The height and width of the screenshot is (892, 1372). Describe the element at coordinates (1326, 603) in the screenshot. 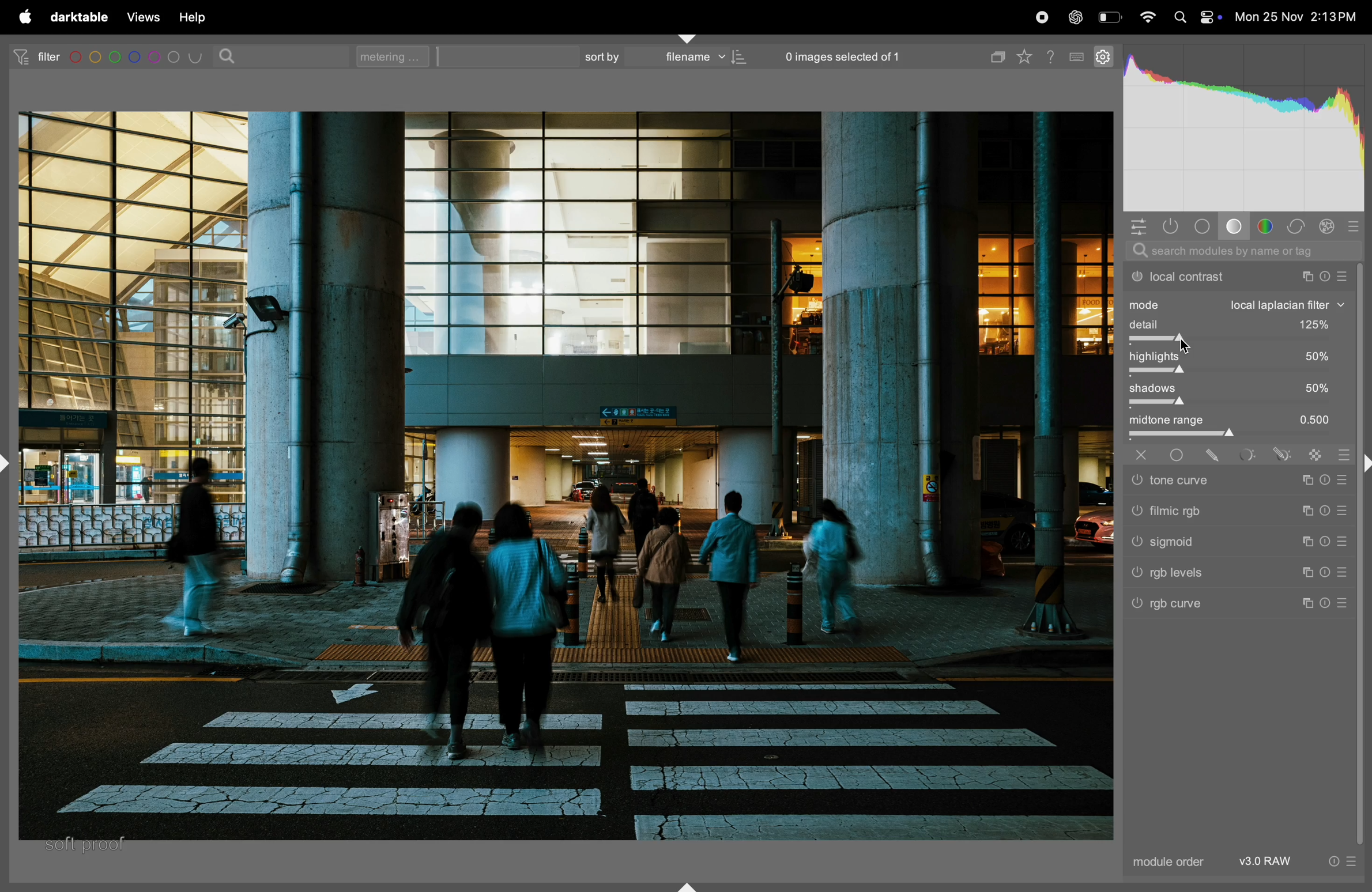

I see `reset` at that location.